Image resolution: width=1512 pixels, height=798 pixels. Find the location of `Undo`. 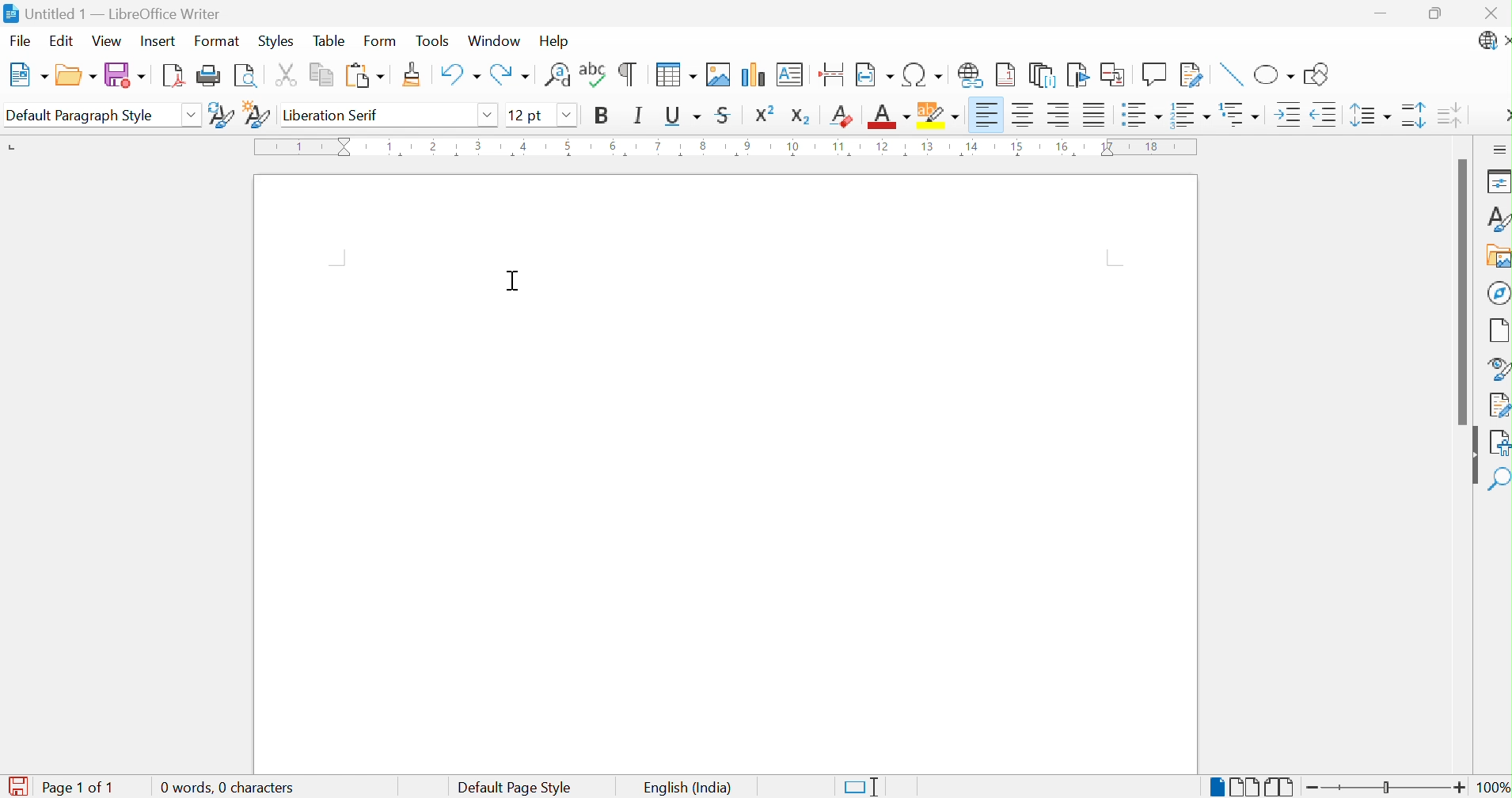

Undo is located at coordinates (460, 75).